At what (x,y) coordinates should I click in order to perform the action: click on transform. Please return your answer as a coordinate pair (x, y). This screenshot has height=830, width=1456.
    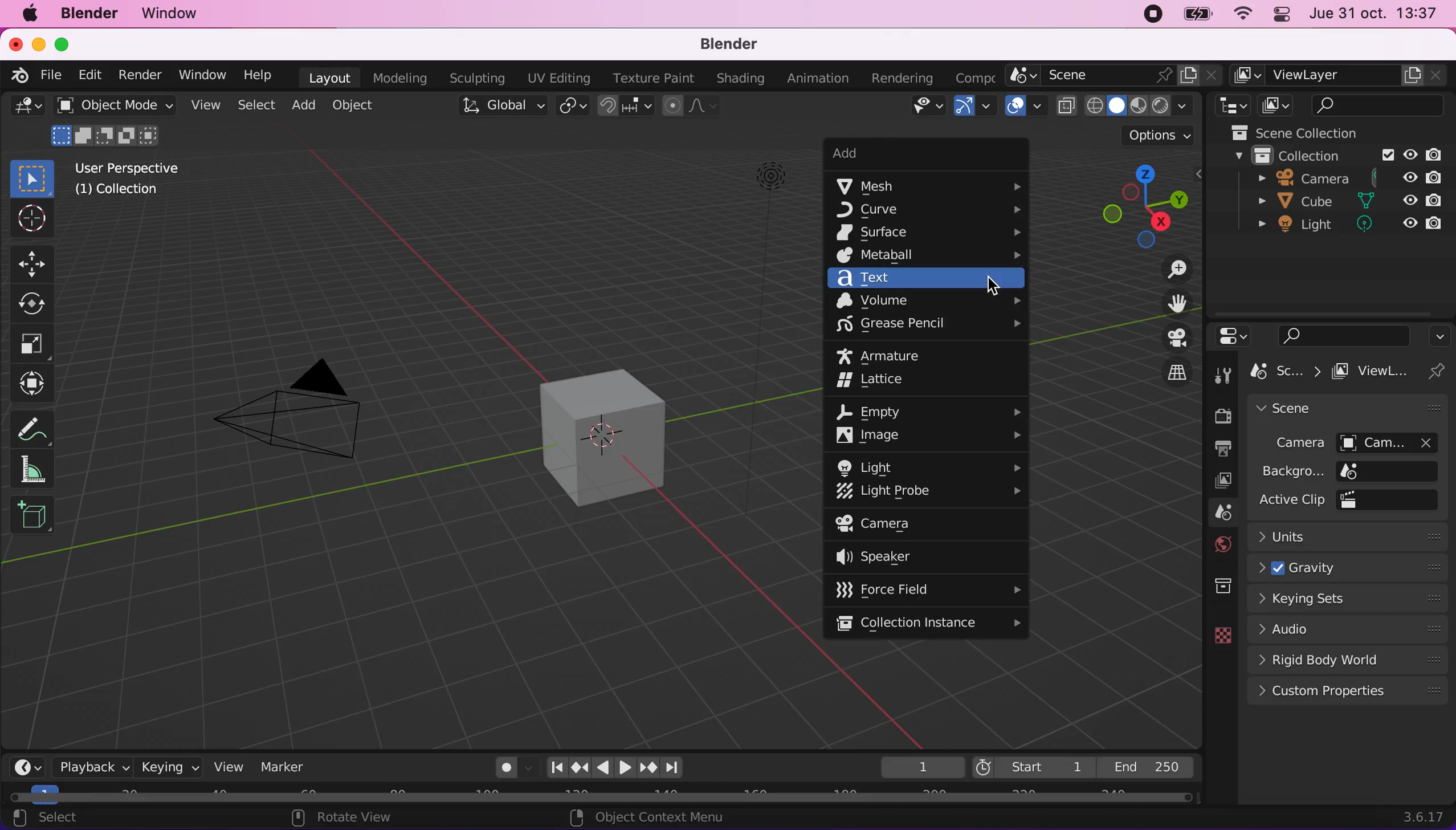
    Looking at the image, I should click on (36, 381).